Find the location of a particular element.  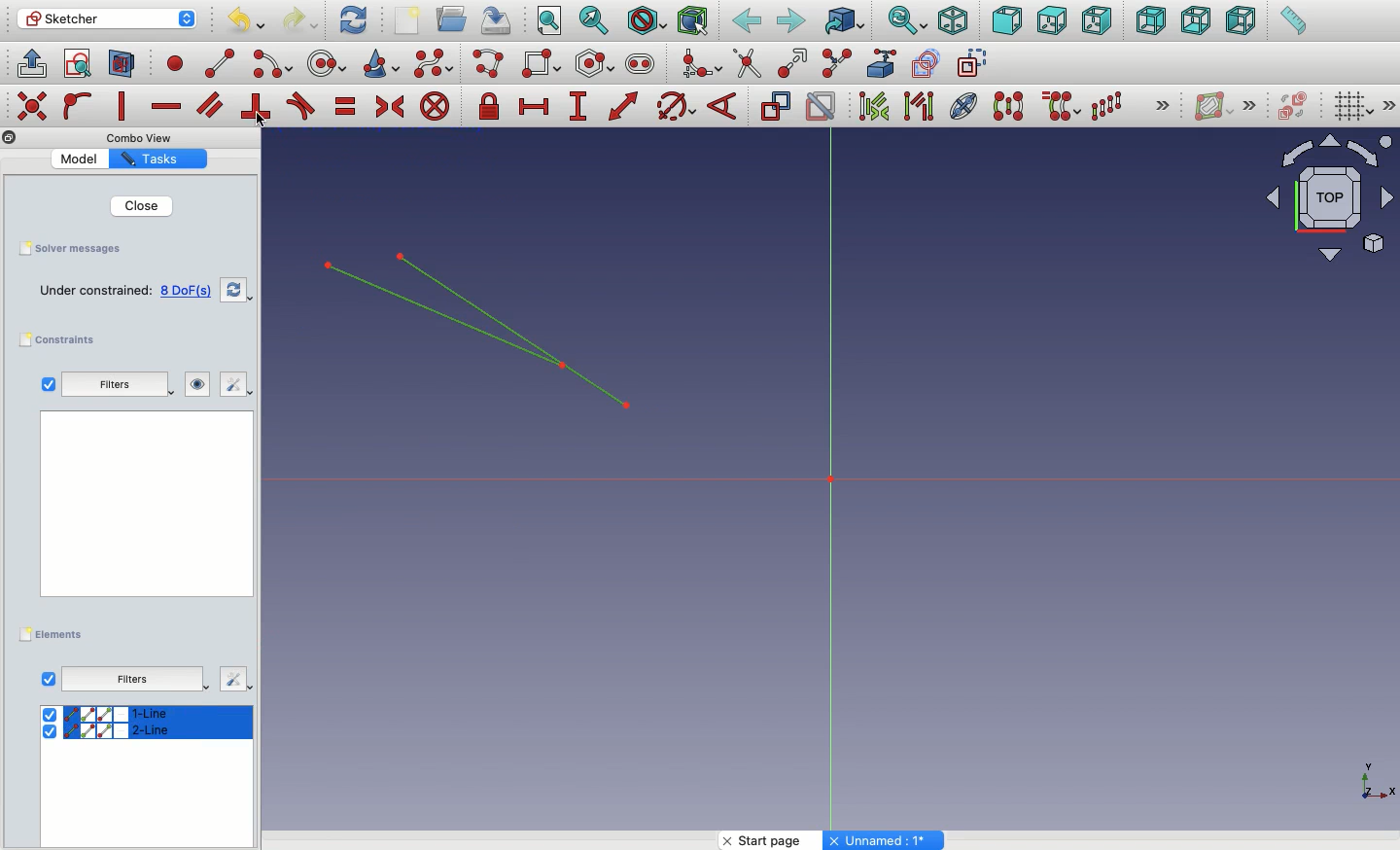

 is located at coordinates (235, 681).